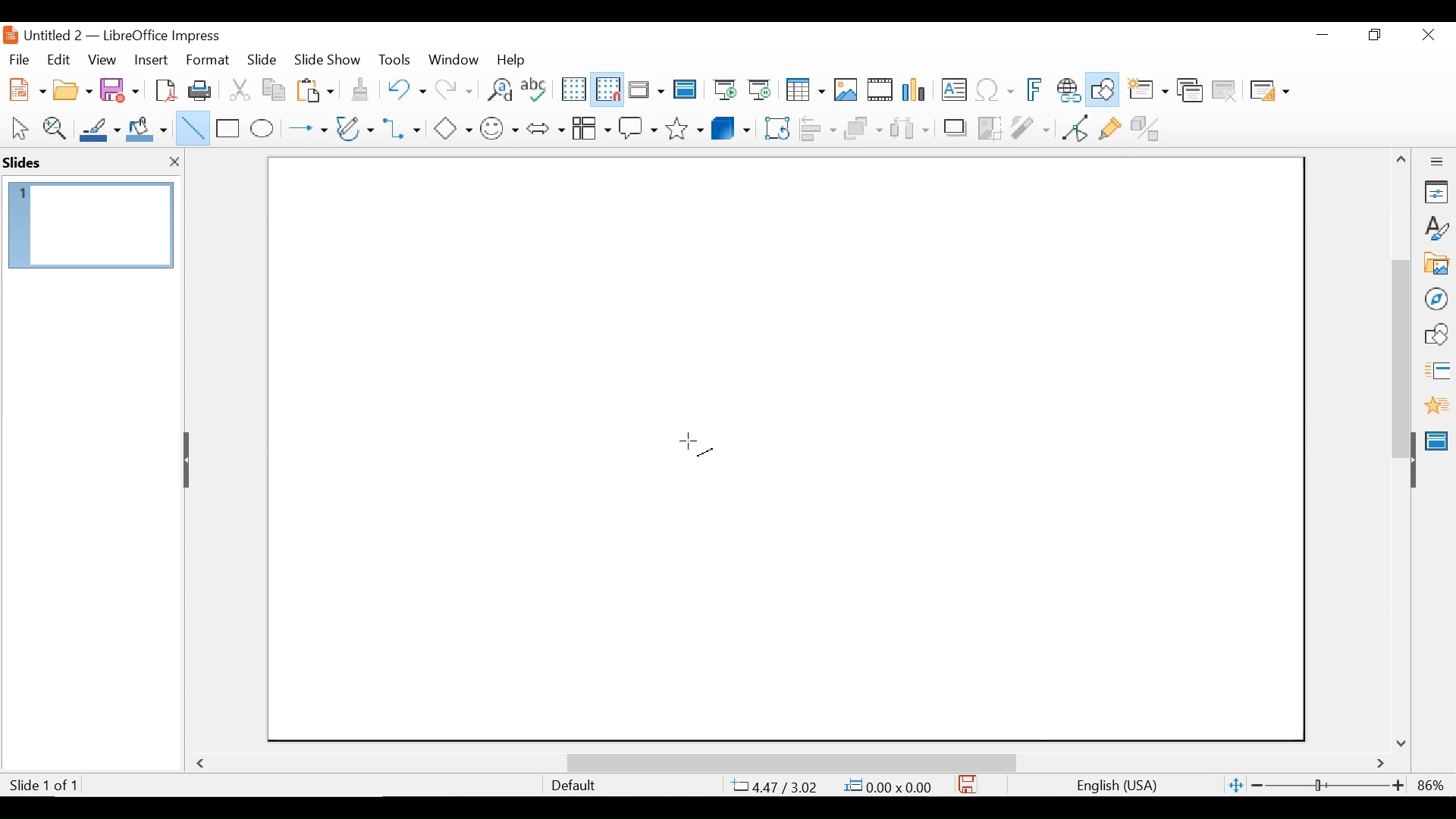 This screenshot has width=1456, height=819. Describe the element at coordinates (1436, 372) in the screenshot. I see `Slide Transition` at that location.